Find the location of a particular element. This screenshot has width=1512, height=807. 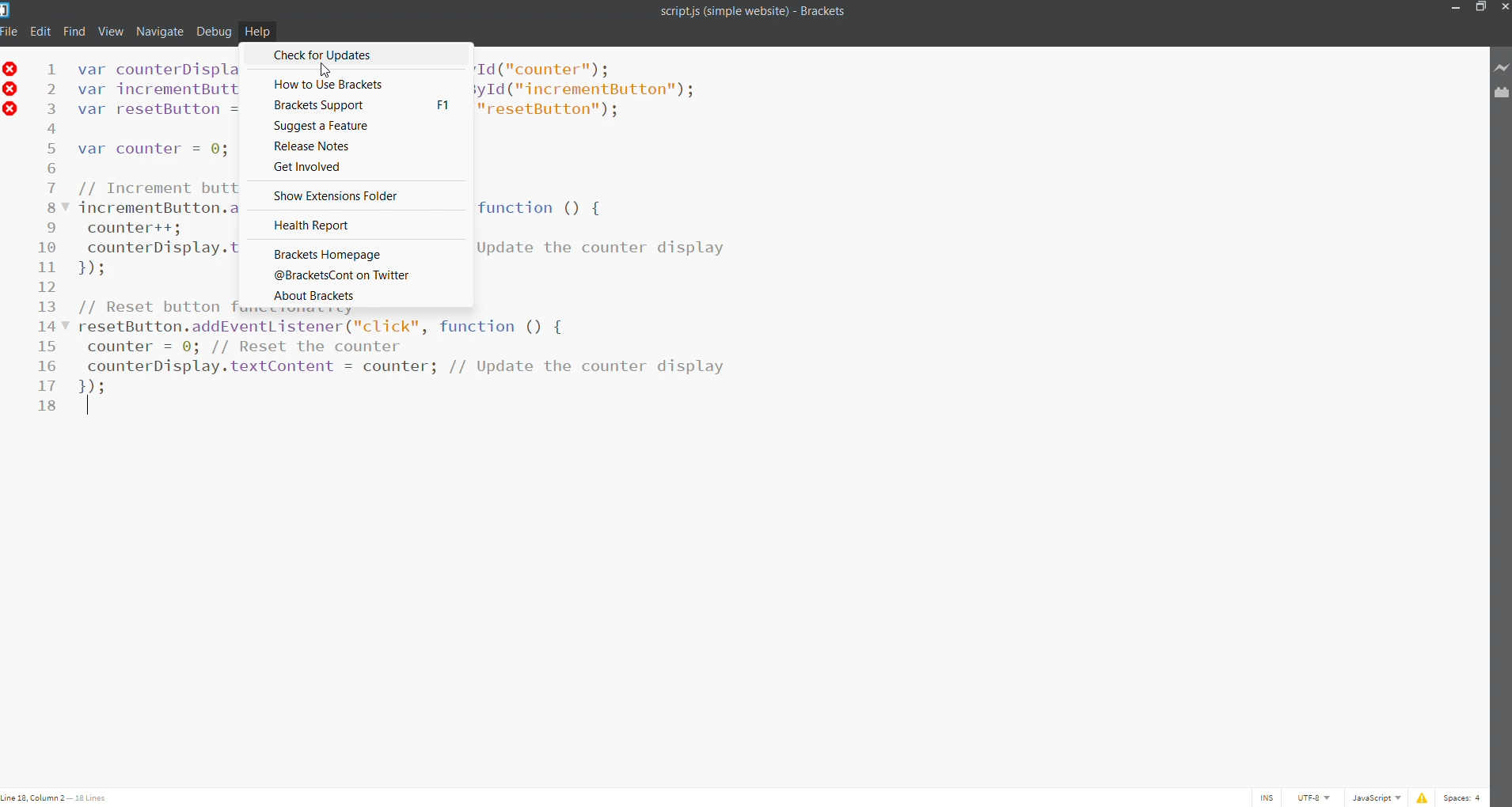

keyboard cursor position is located at coordinates (59, 798).